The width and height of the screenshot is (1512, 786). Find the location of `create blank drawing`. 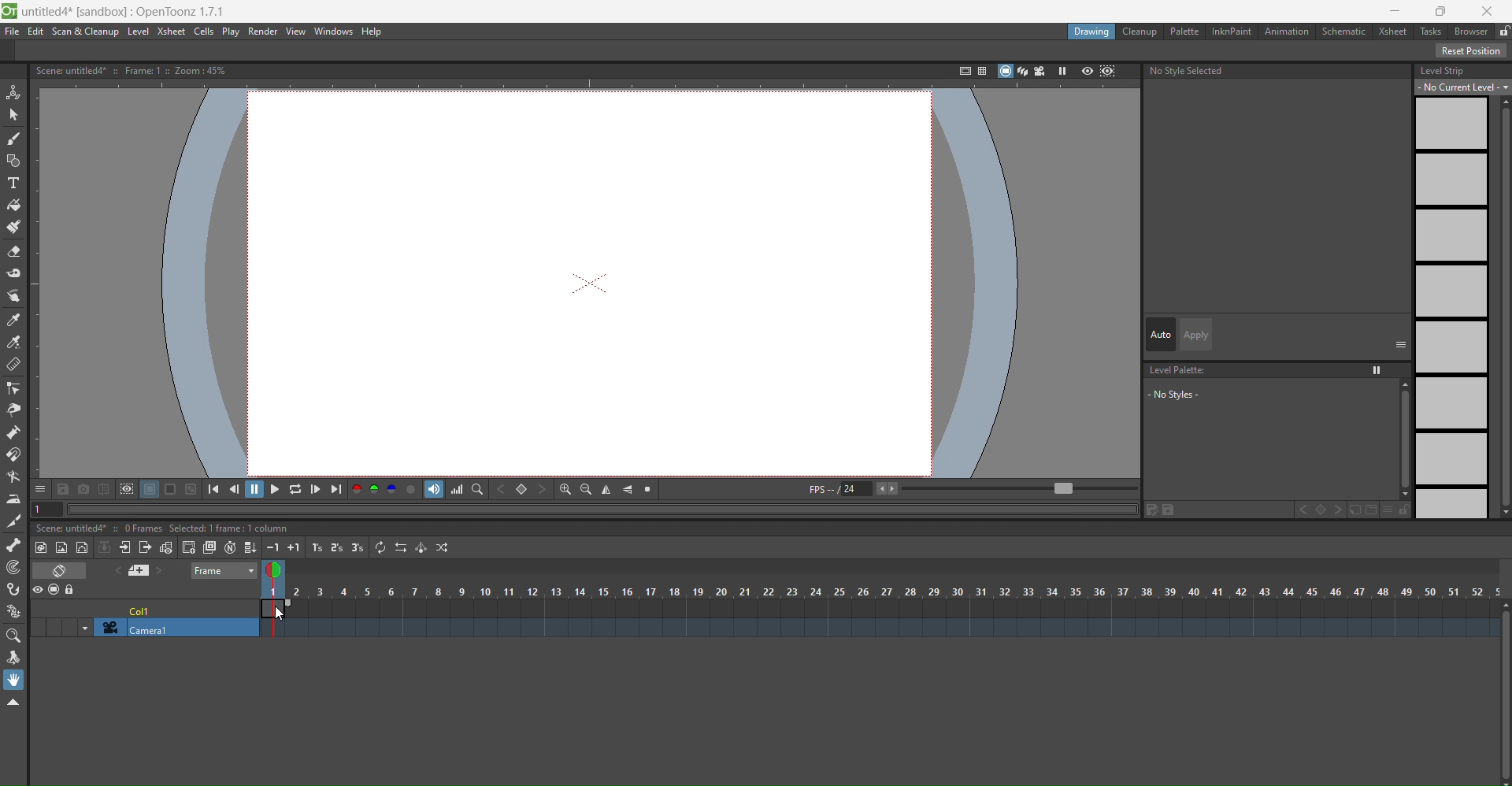

create blank drawing is located at coordinates (188, 547).